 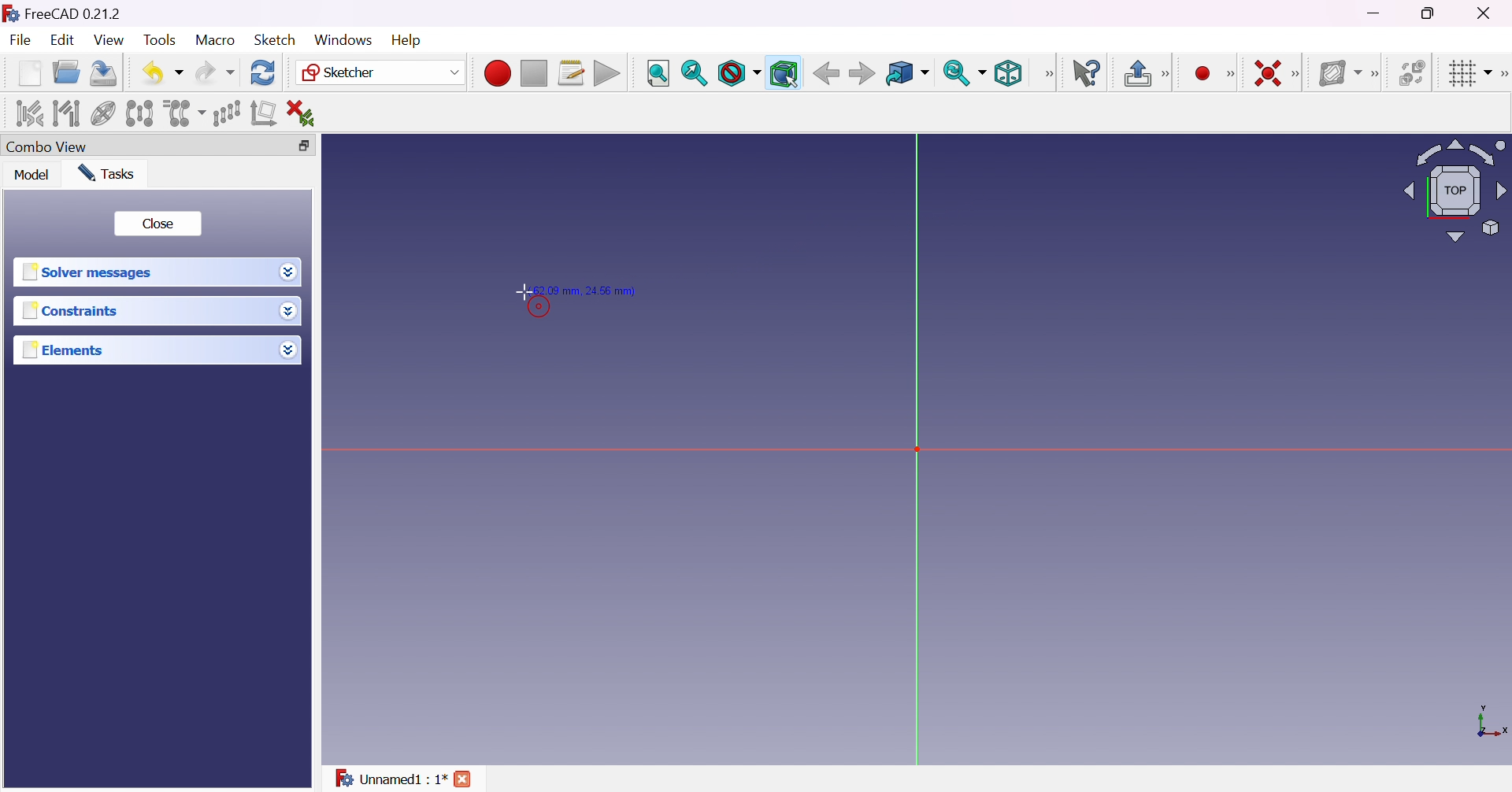 What do you see at coordinates (87, 272) in the screenshot?
I see `Solver messages` at bounding box center [87, 272].